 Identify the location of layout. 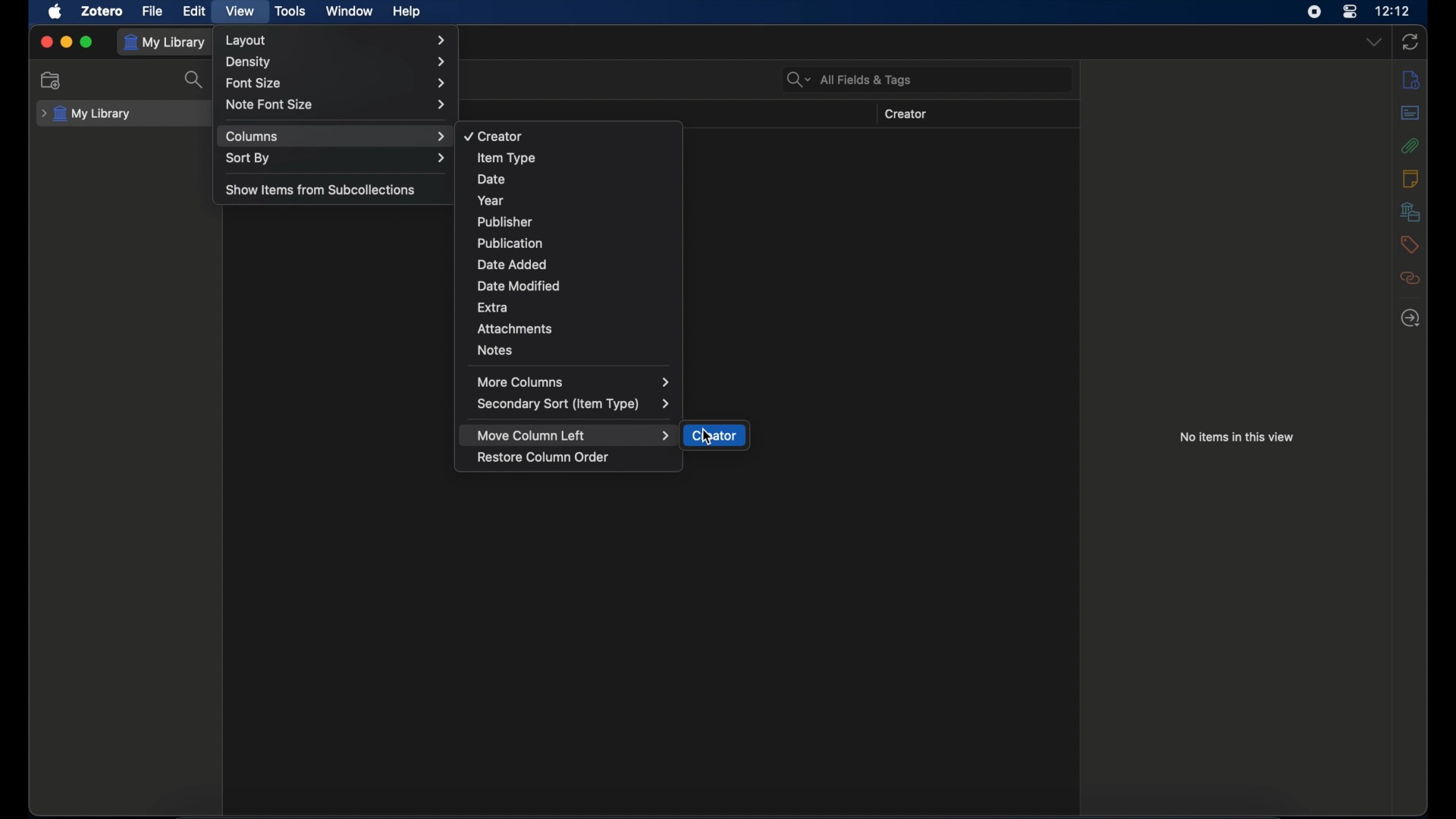
(337, 40).